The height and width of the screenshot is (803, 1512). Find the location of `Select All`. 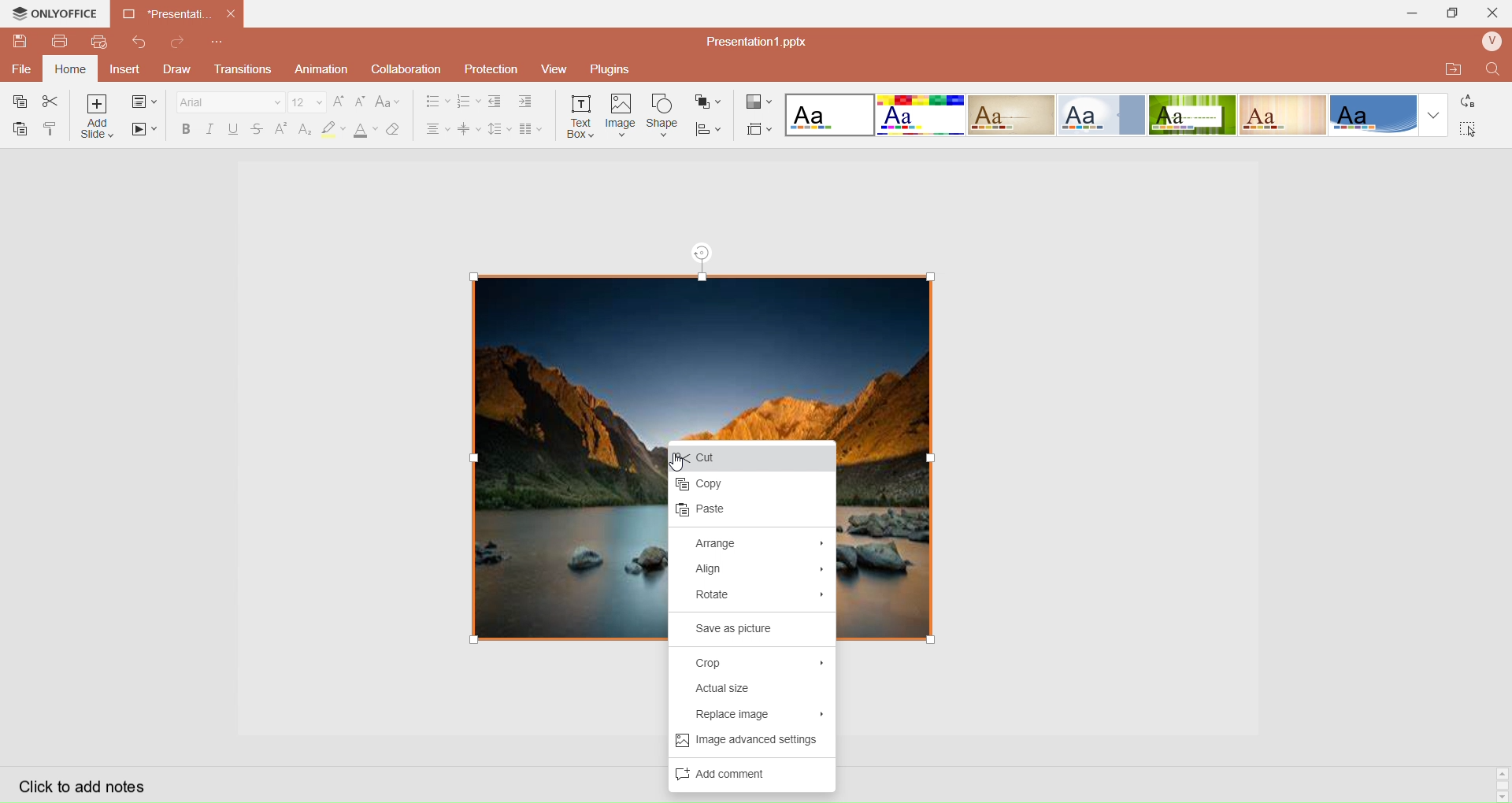

Select All is located at coordinates (1468, 129).